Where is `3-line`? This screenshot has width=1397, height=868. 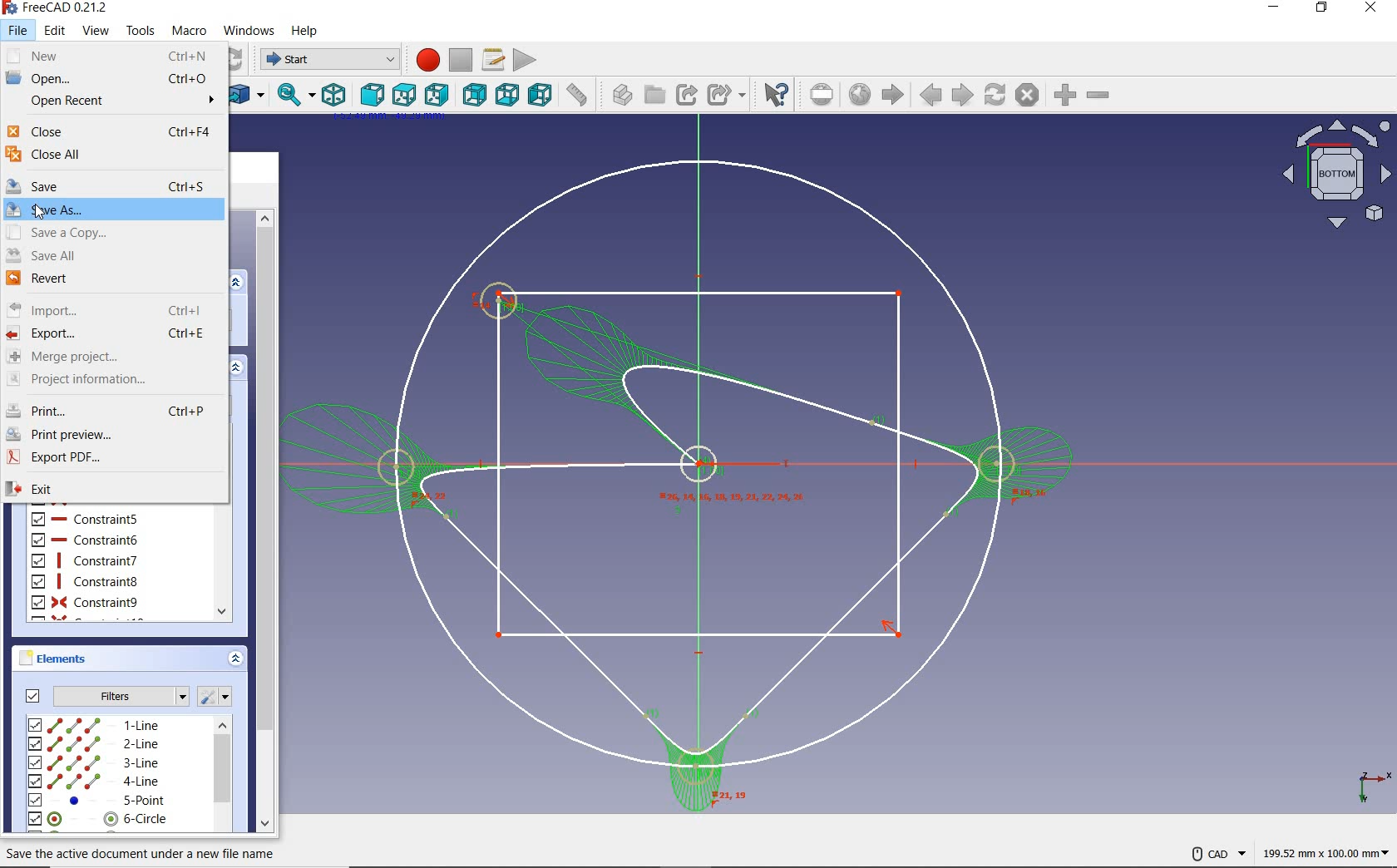 3-line is located at coordinates (94, 763).